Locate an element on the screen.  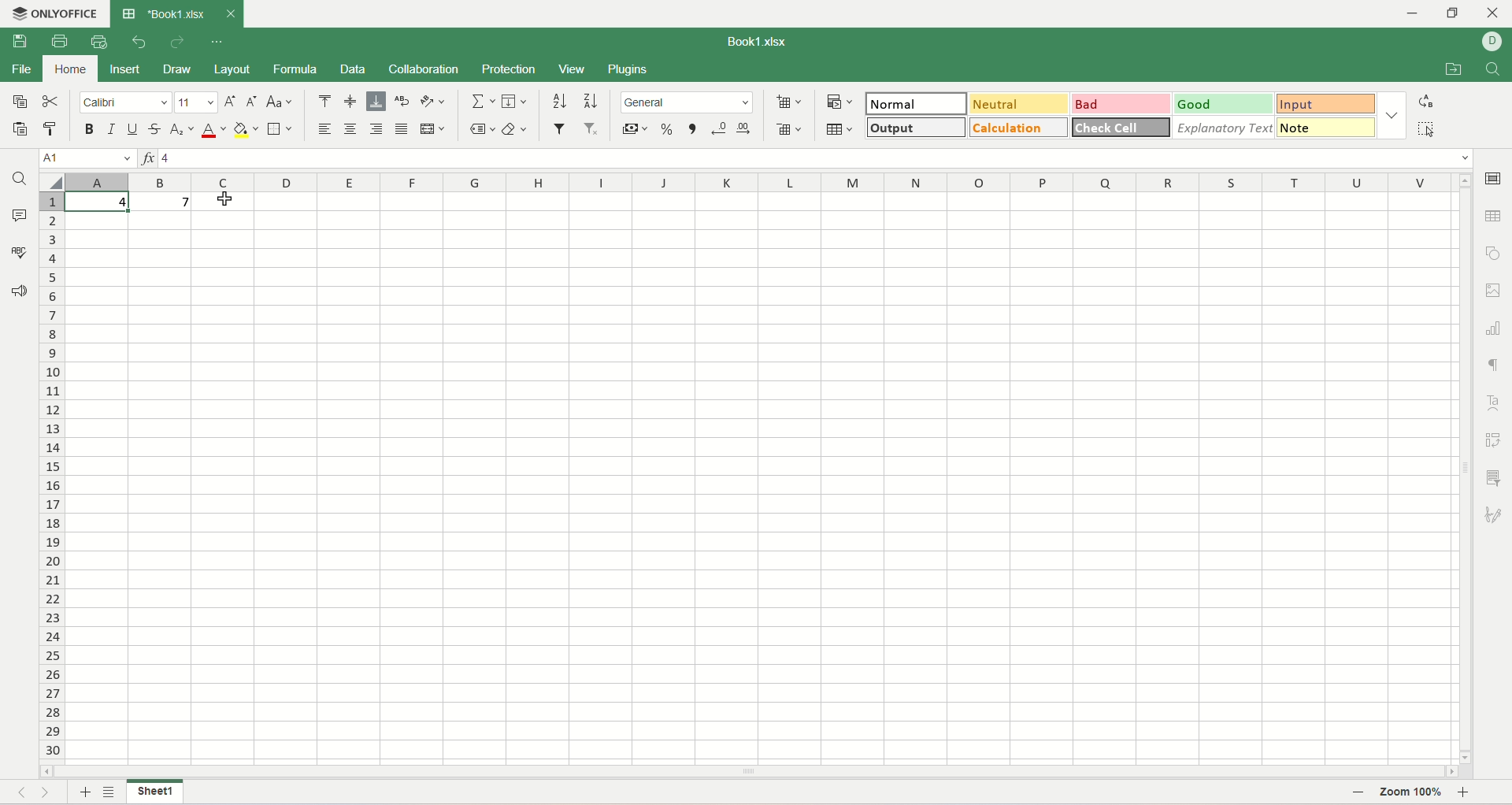
image settings is located at coordinates (1494, 291).